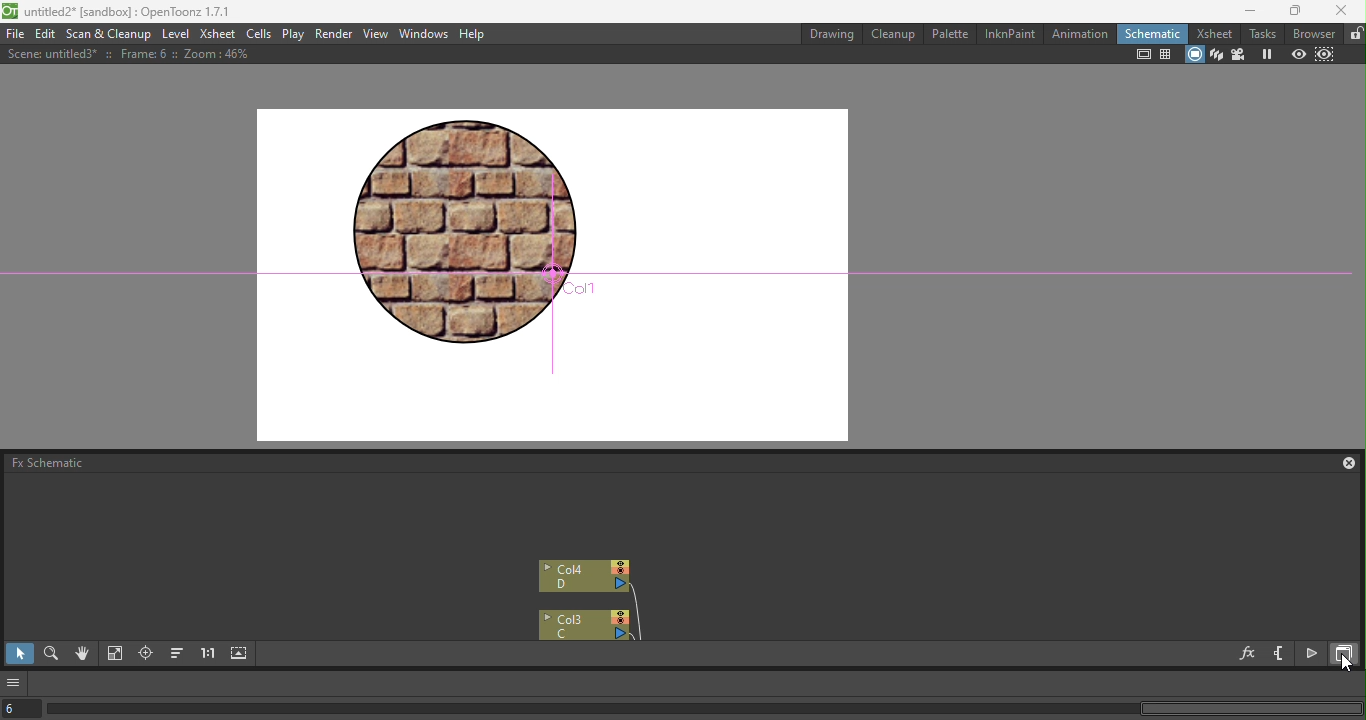 Image resolution: width=1366 pixels, height=720 pixels. What do you see at coordinates (1342, 463) in the screenshot?
I see `Close` at bounding box center [1342, 463].